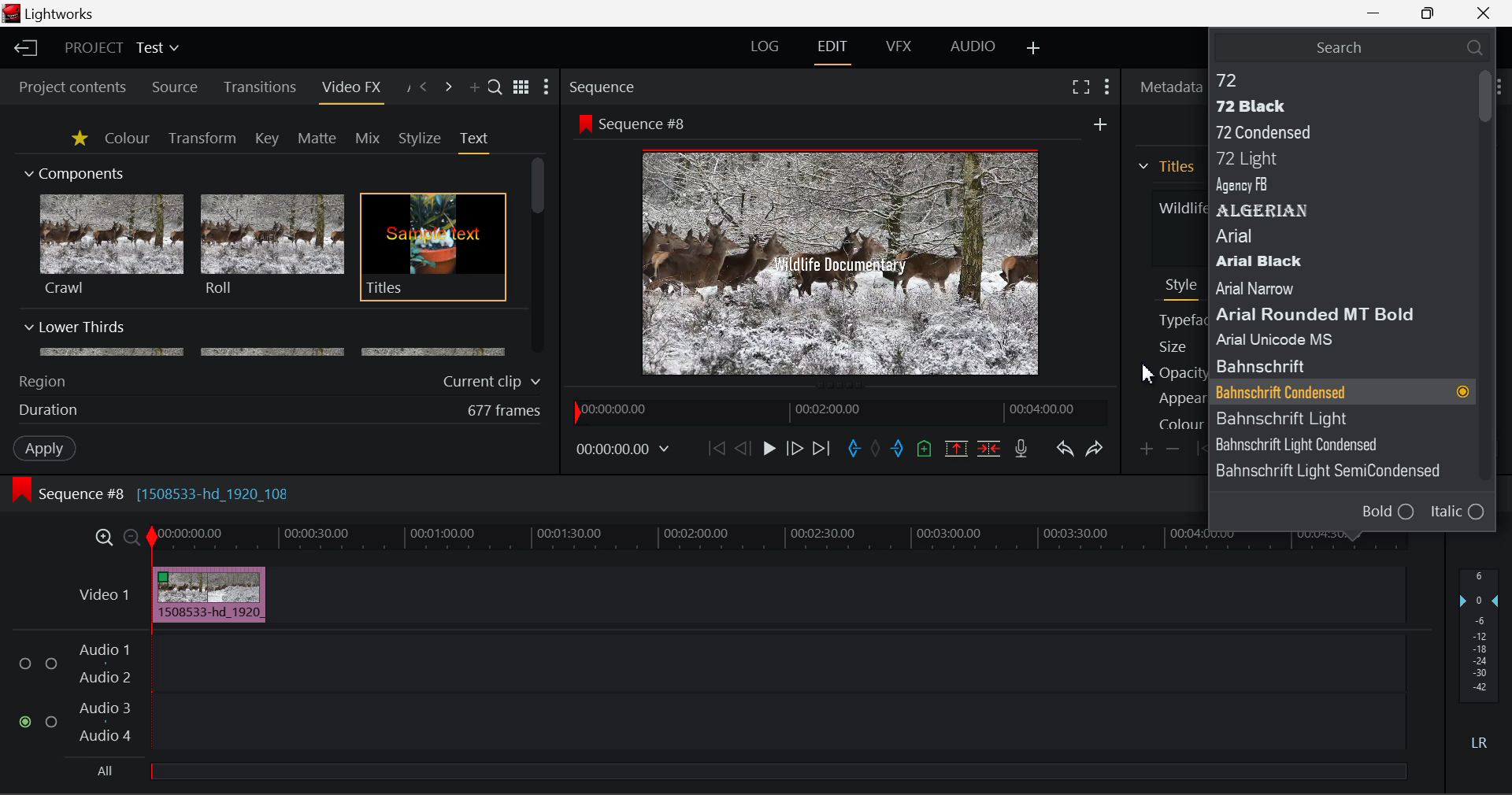 The width and height of the screenshot is (1512, 795). Describe the element at coordinates (743, 448) in the screenshot. I see `Go Back` at that location.